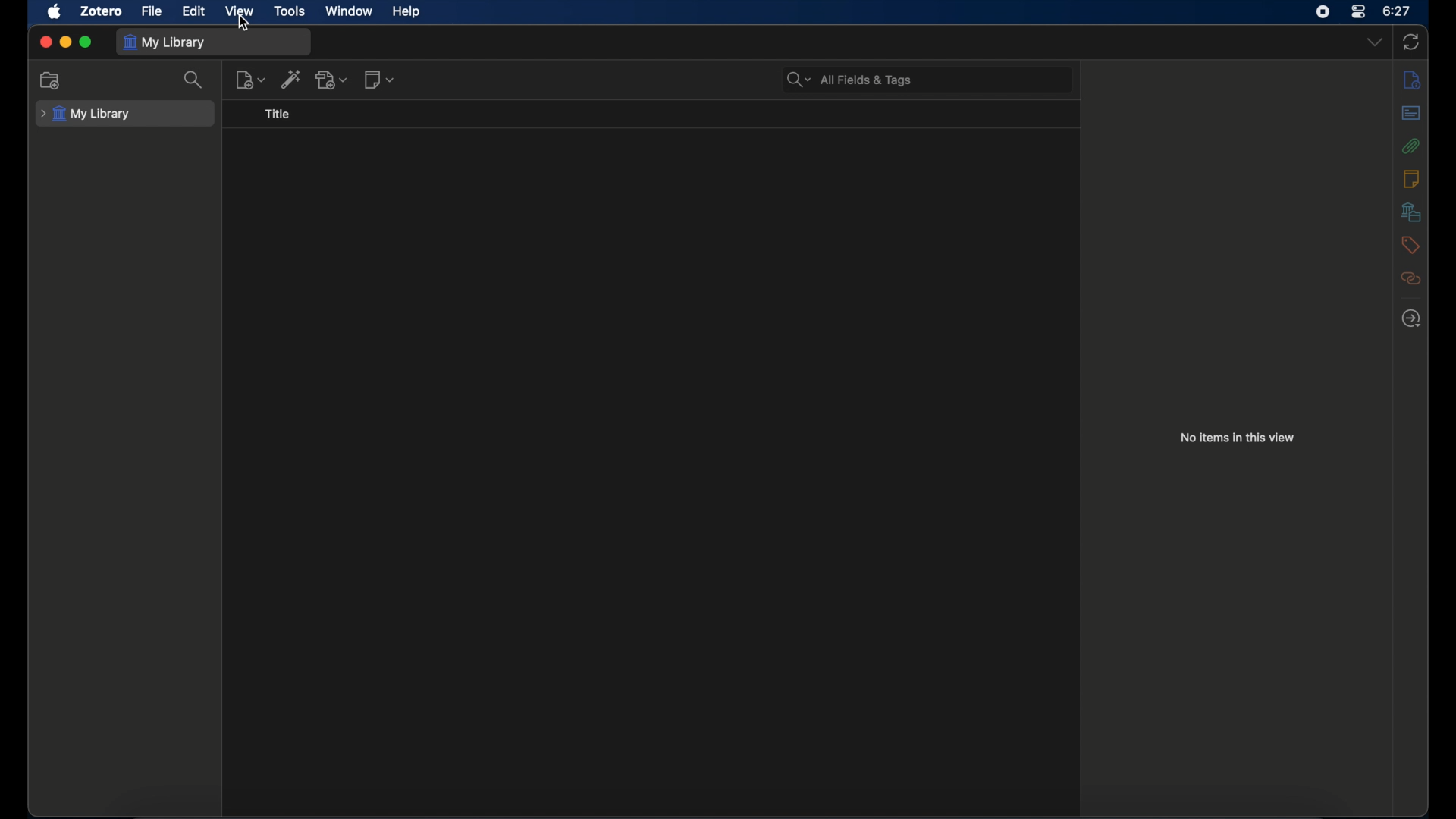 Image resolution: width=1456 pixels, height=819 pixels. What do you see at coordinates (194, 80) in the screenshot?
I see `search` at bounding box center [194, 80].